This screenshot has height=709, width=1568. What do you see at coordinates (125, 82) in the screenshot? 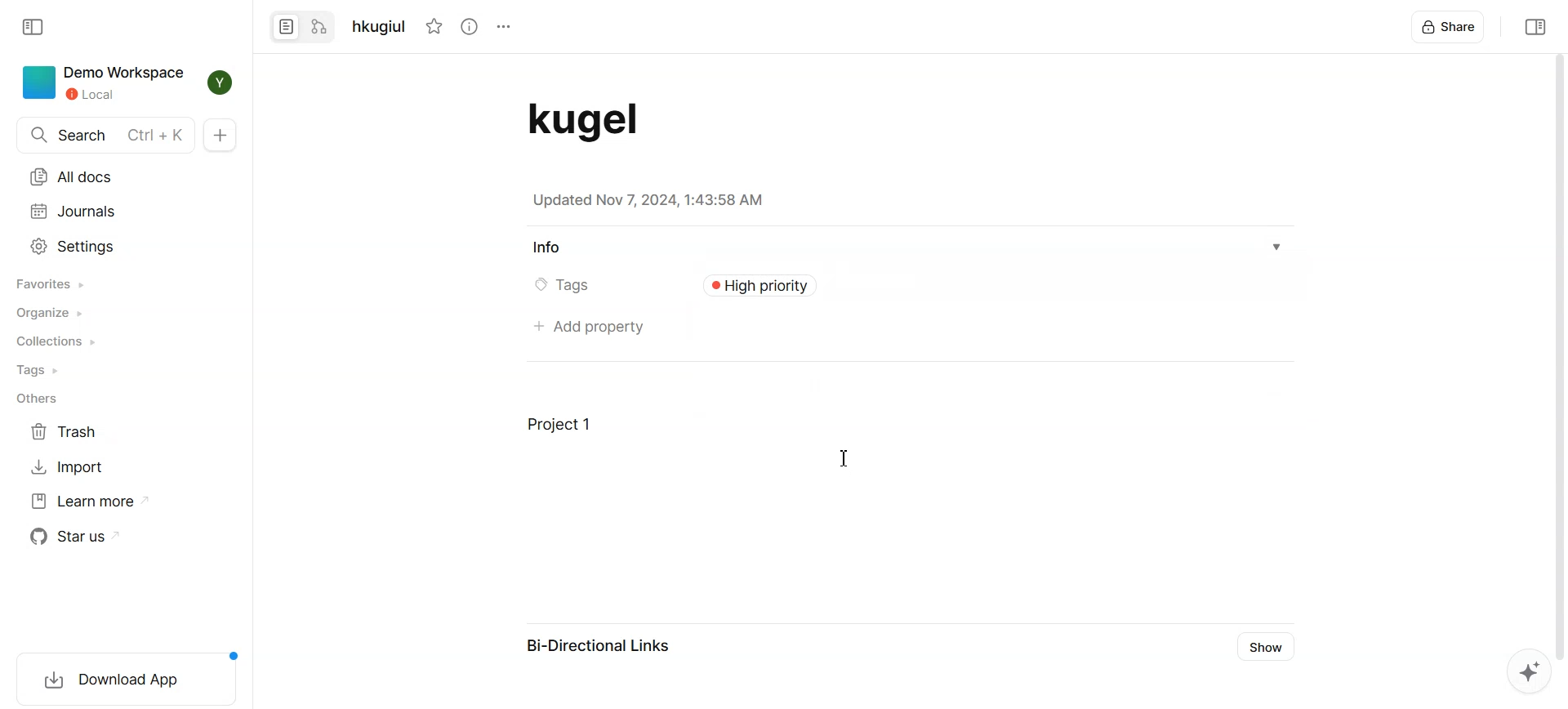
I see `Demo Workspace Local` at bounding box center [125, 82].